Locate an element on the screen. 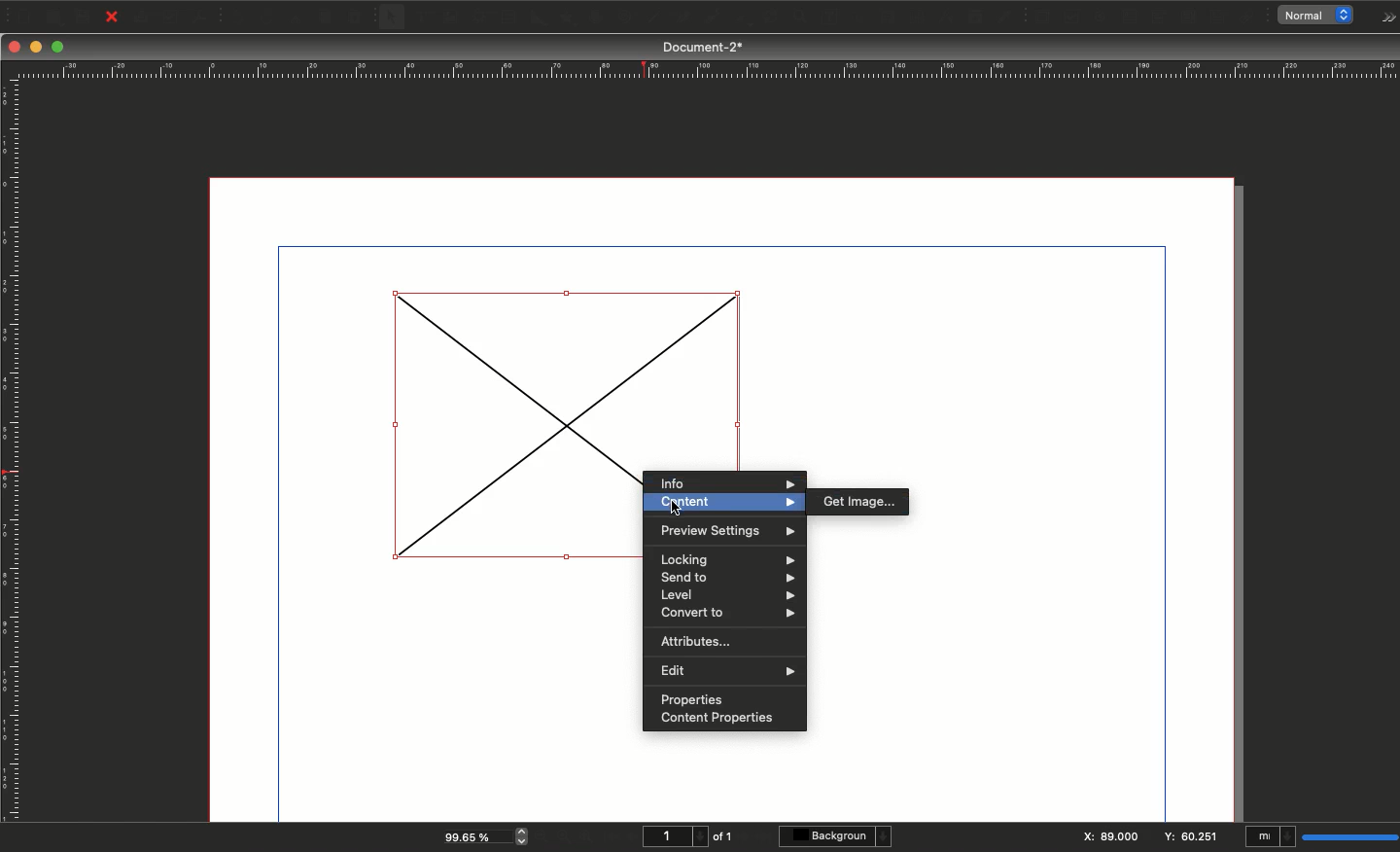  Copy item properties is located at coordinates (972, 18).